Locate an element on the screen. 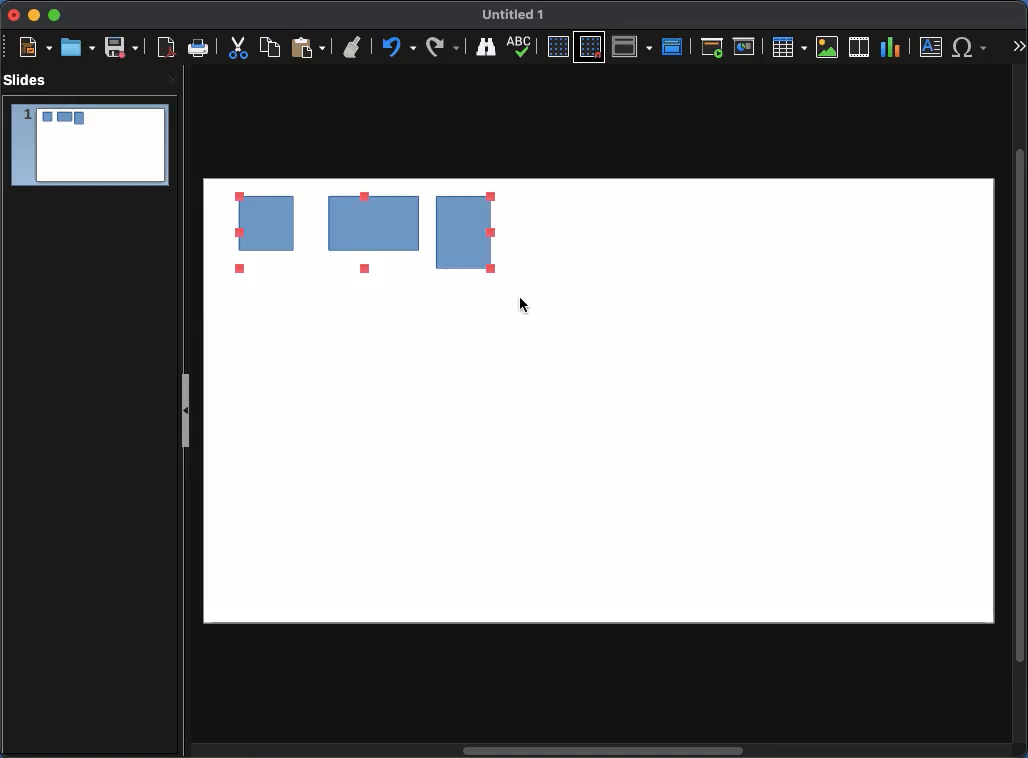 This screenshot has height=758, width=1028. More is located at coordinates (1020, 46).